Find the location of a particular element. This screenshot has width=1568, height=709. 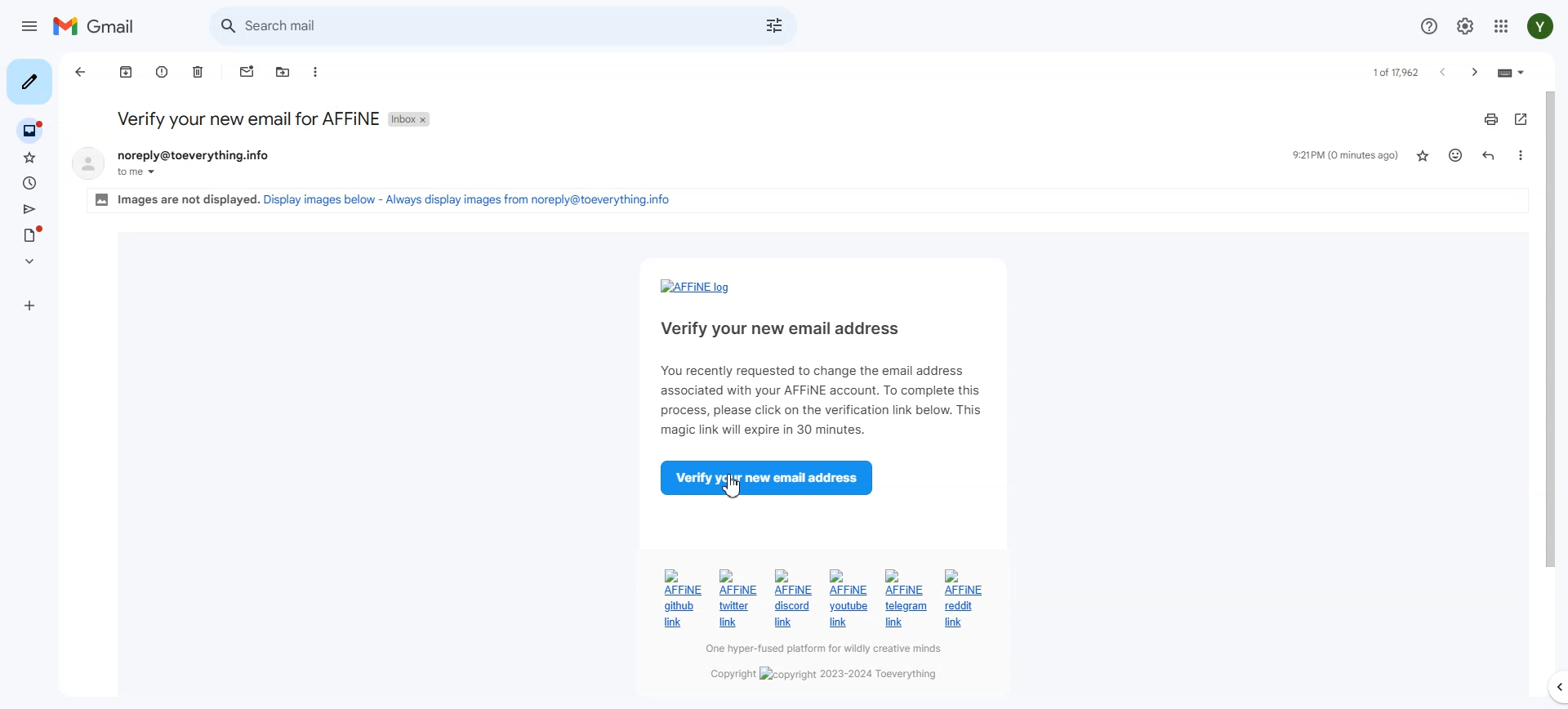

Achieve is located at coordinates (127, 73).